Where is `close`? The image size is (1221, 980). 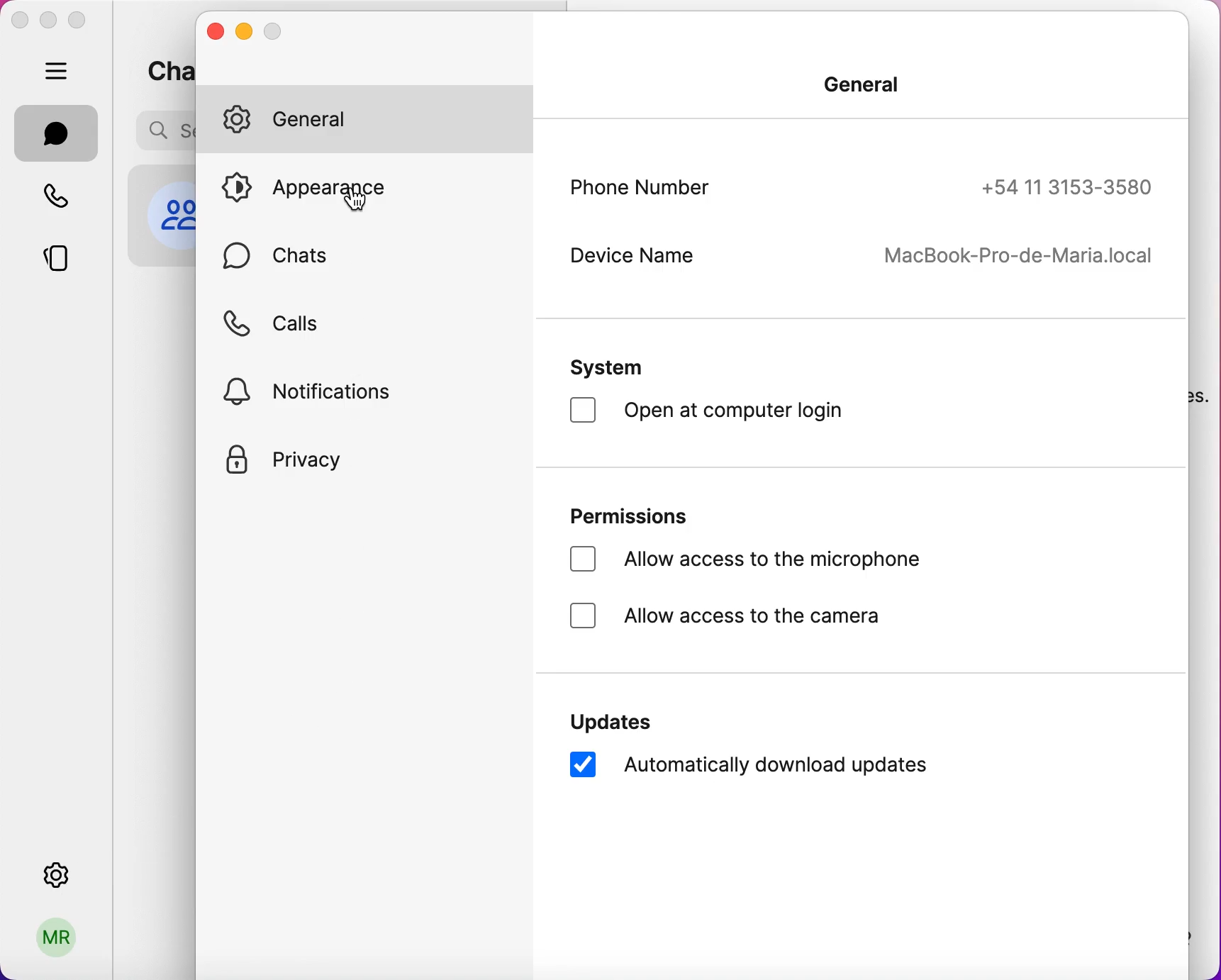
close is located at coordinates (20, 18).